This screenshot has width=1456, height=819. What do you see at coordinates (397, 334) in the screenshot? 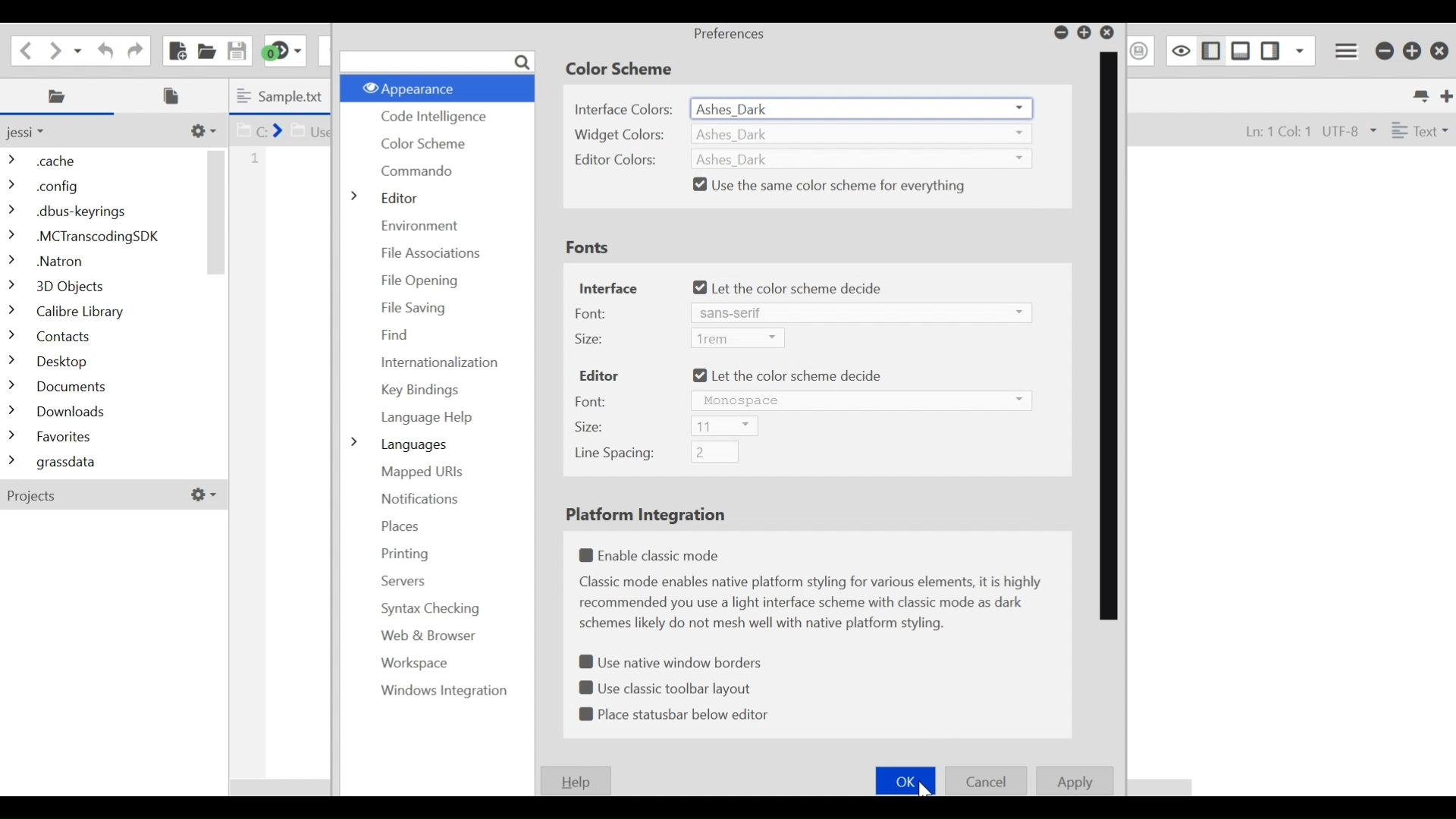
I see `Find` at bounding box center [397, 334].